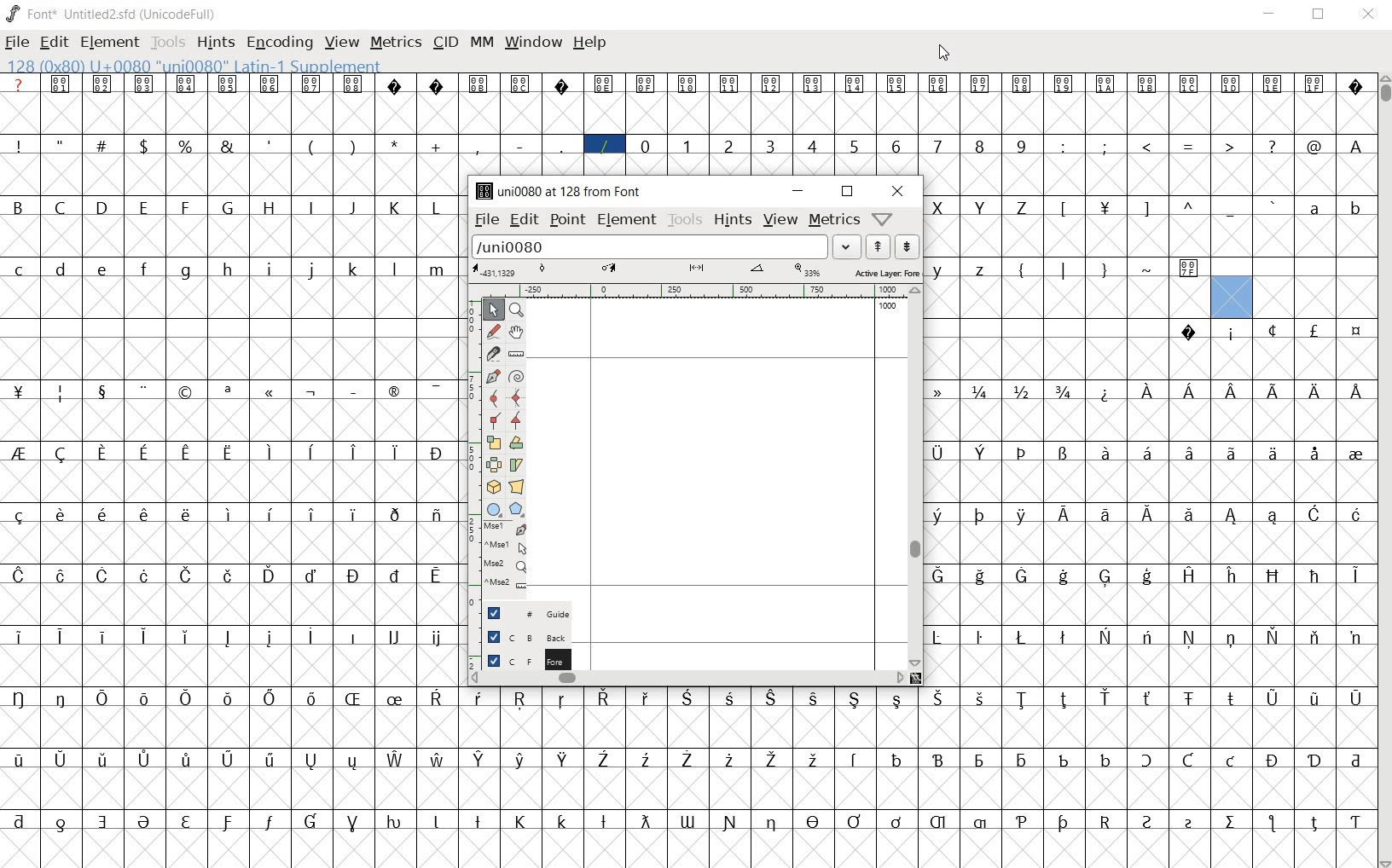  I want to click on glyph, so click(898, 760).